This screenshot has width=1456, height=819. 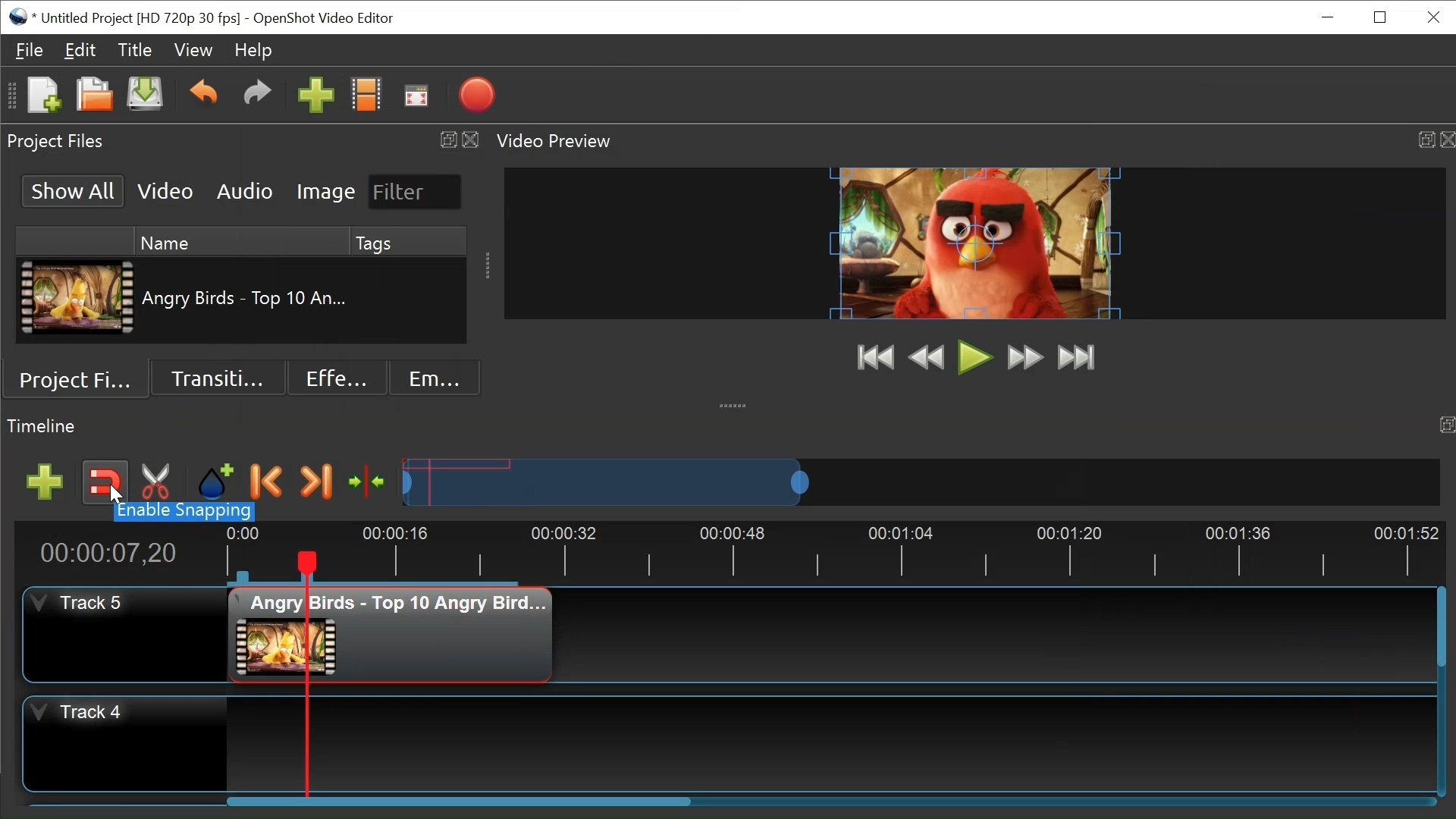 What do you see at coordinates (407, 241) in the screenshot?
I see `Tags` at bounding box center [407, 241].